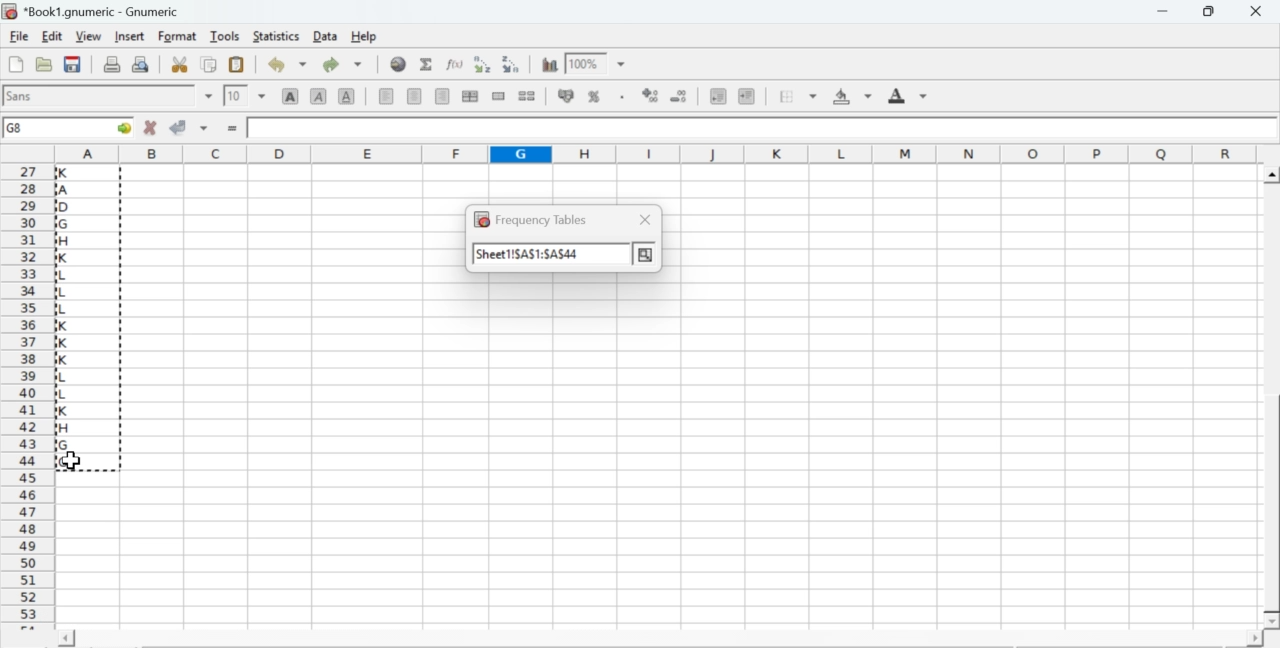  Describe the element at coordinates (210, 64) in the screenshot. I see `copy` at that location.